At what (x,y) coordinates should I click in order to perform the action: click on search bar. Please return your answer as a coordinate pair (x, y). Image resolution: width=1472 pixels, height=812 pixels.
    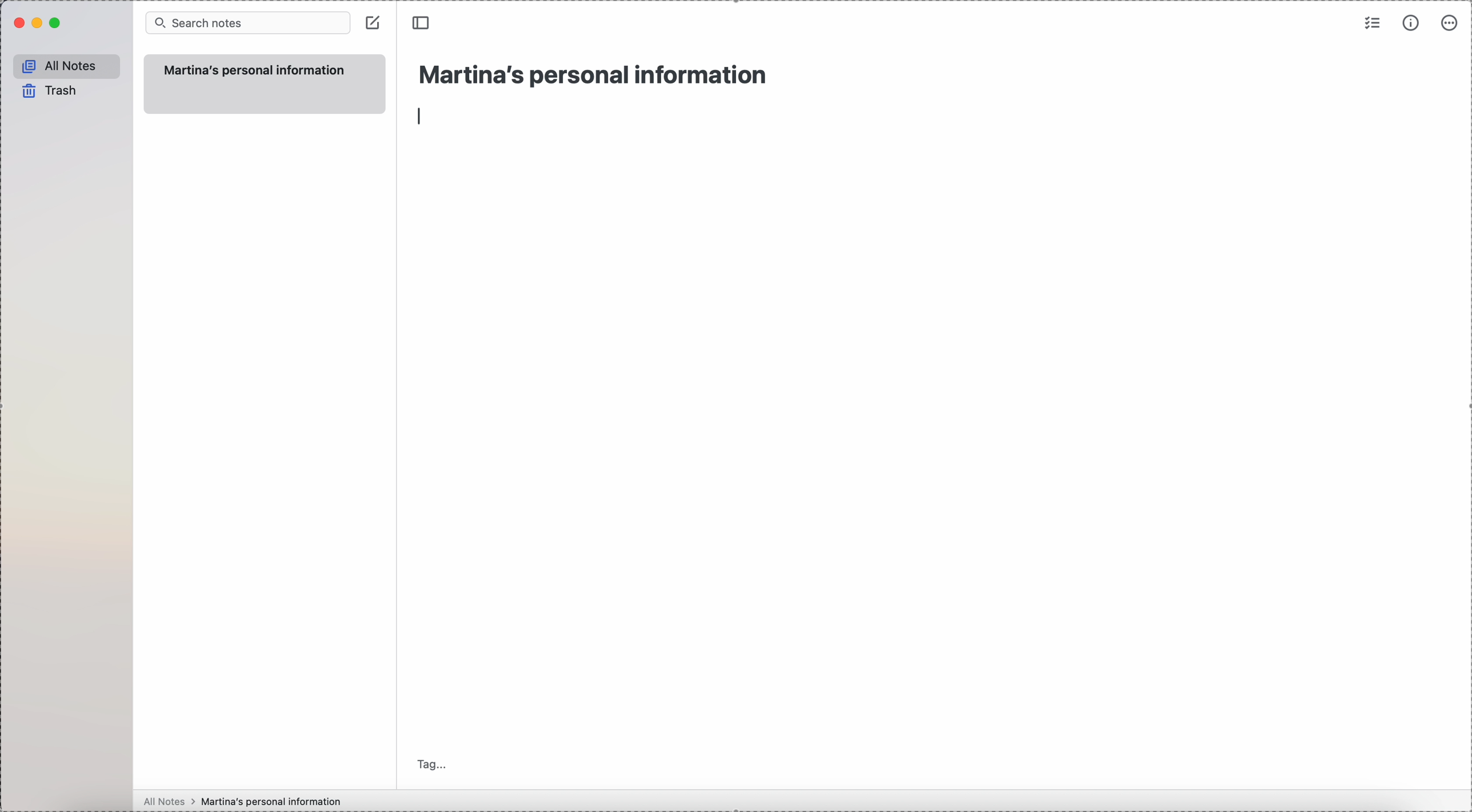
    Looking at the image, I should click on (249, 23).